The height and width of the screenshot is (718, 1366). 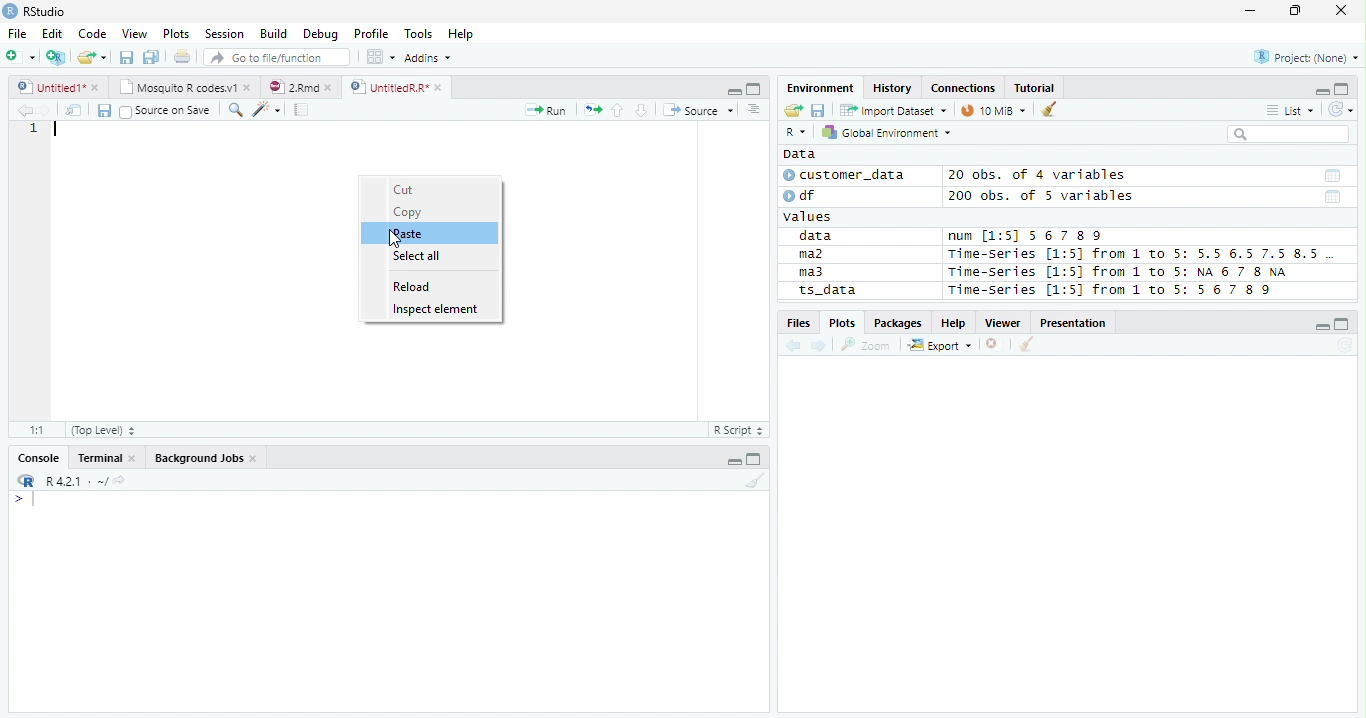 What do you see at coordinates (121, 480) in the screenshot?
I see `View Current work directory` at bounding box center [121, 480].